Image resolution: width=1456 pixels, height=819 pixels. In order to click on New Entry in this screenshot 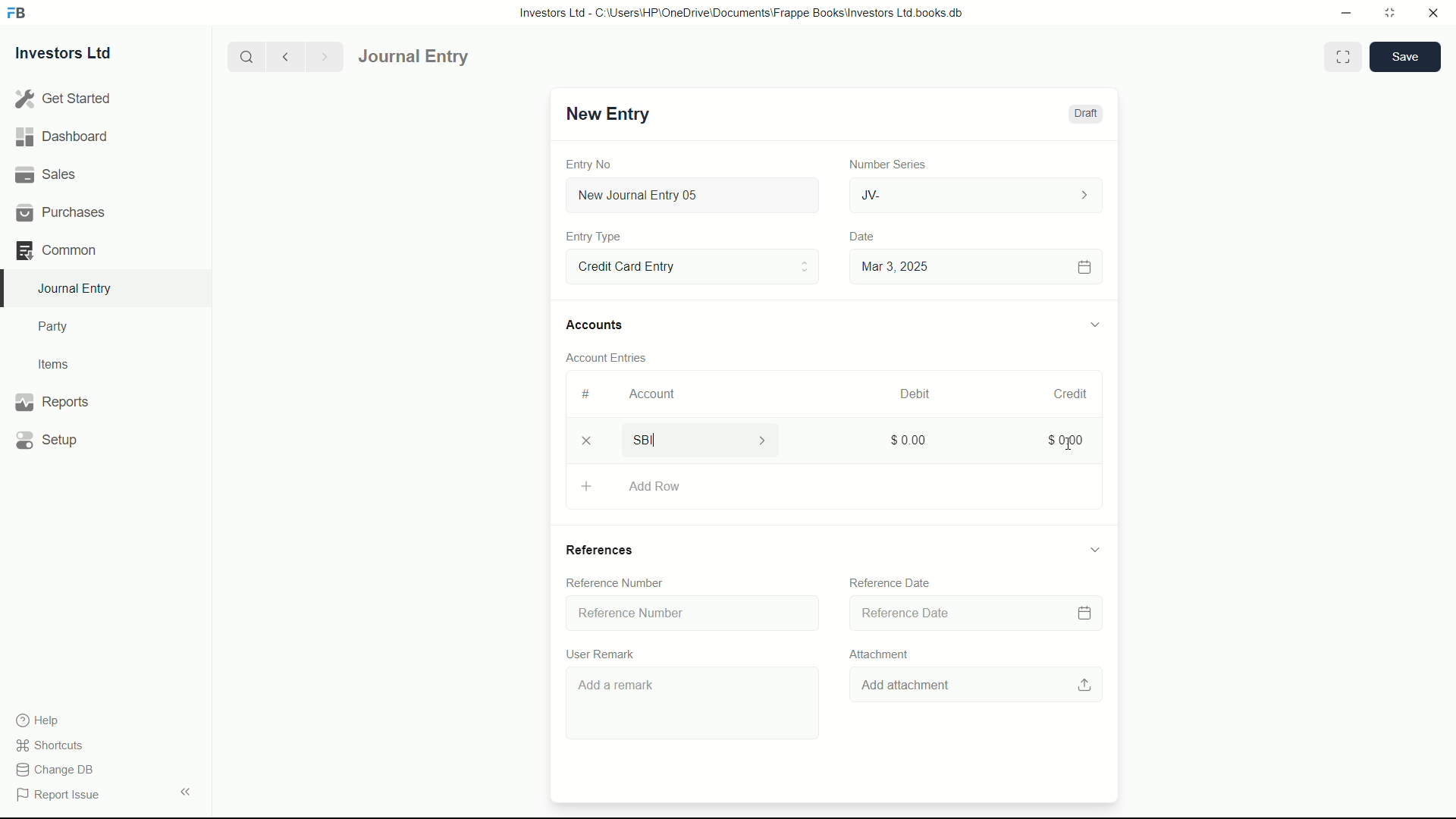, I will do `click(605, 114)`.